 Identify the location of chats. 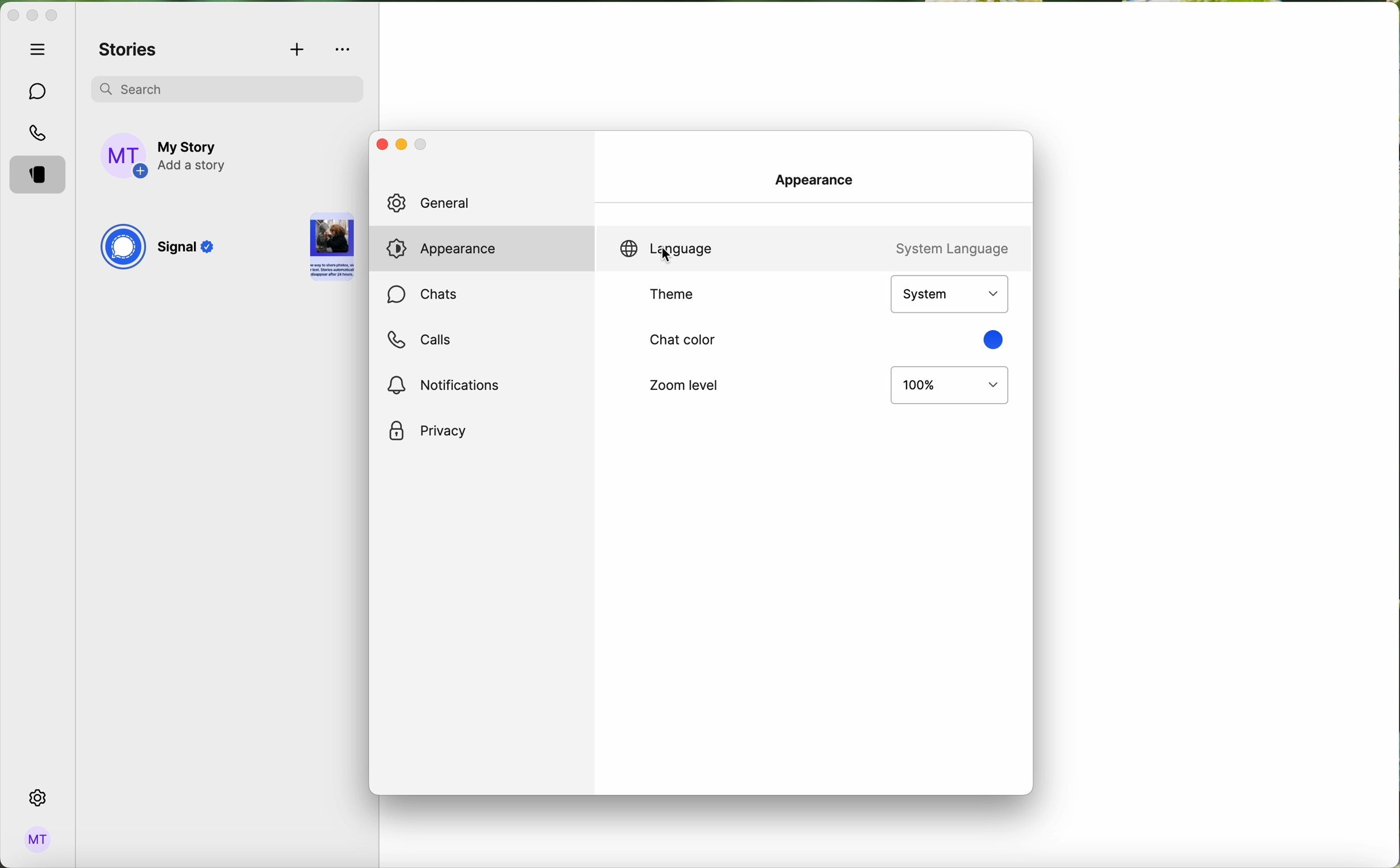
(38, 92).